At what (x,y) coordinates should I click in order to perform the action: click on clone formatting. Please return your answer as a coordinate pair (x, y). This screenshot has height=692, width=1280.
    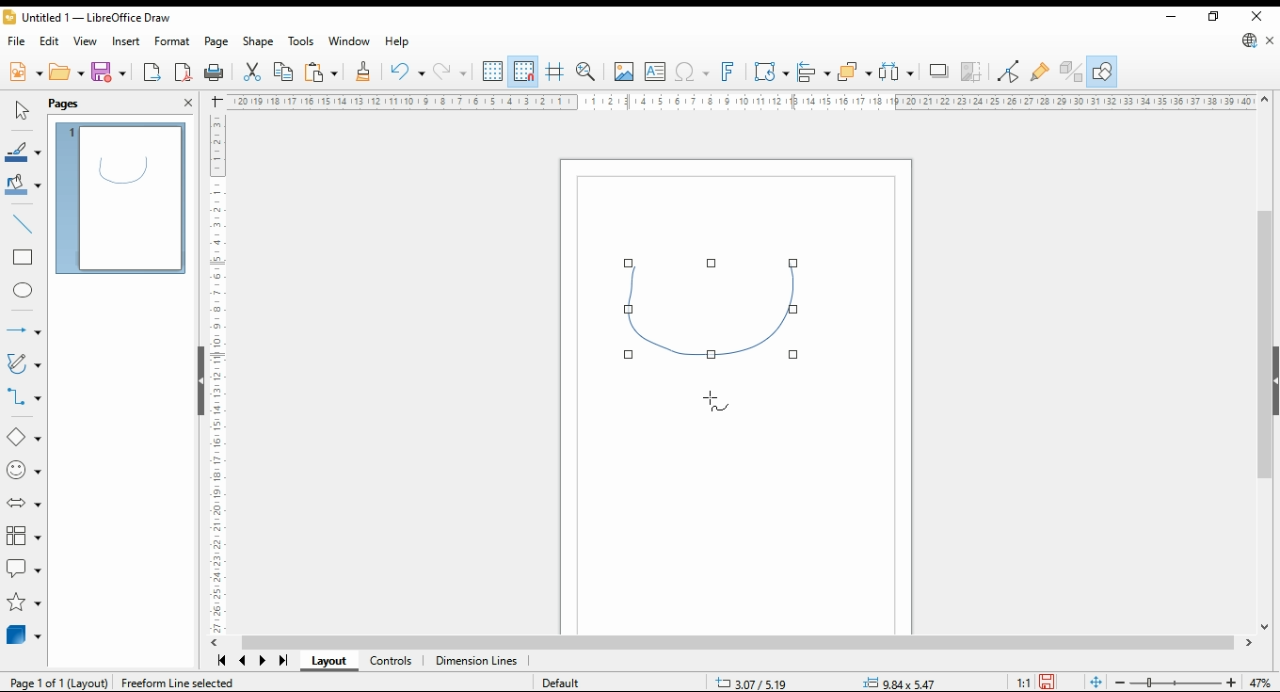
    Looking at the image, I should click on (366, 73).